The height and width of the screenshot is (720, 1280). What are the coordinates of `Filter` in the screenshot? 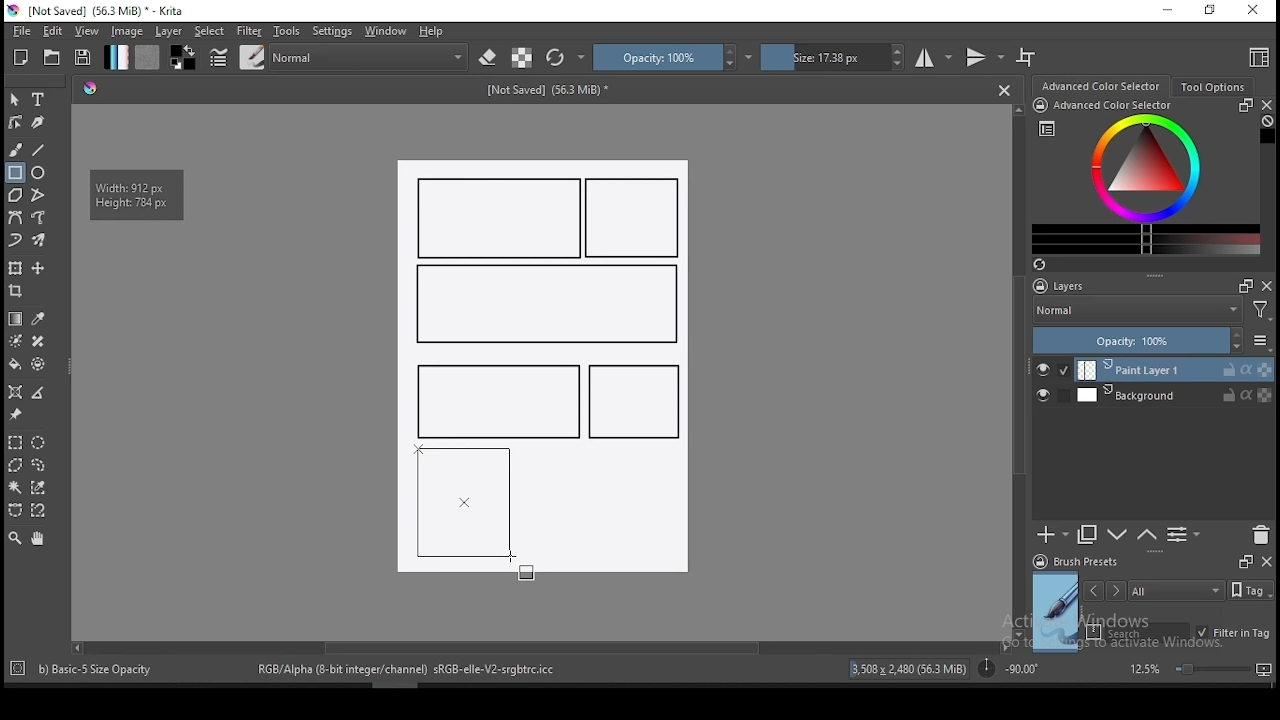 It's located at (1261, 313).